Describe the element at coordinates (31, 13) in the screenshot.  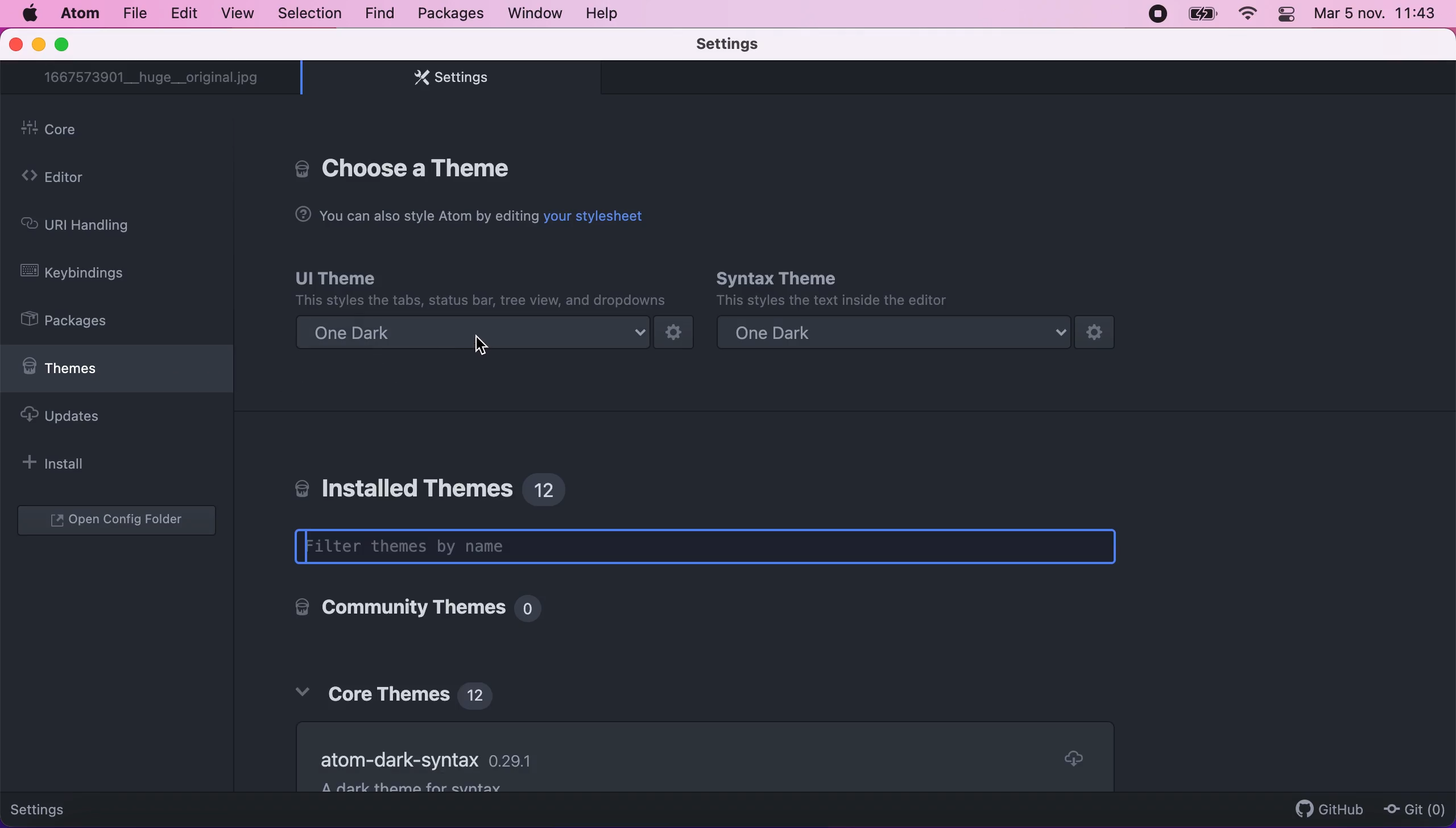
I see `Mac logo` at that location.